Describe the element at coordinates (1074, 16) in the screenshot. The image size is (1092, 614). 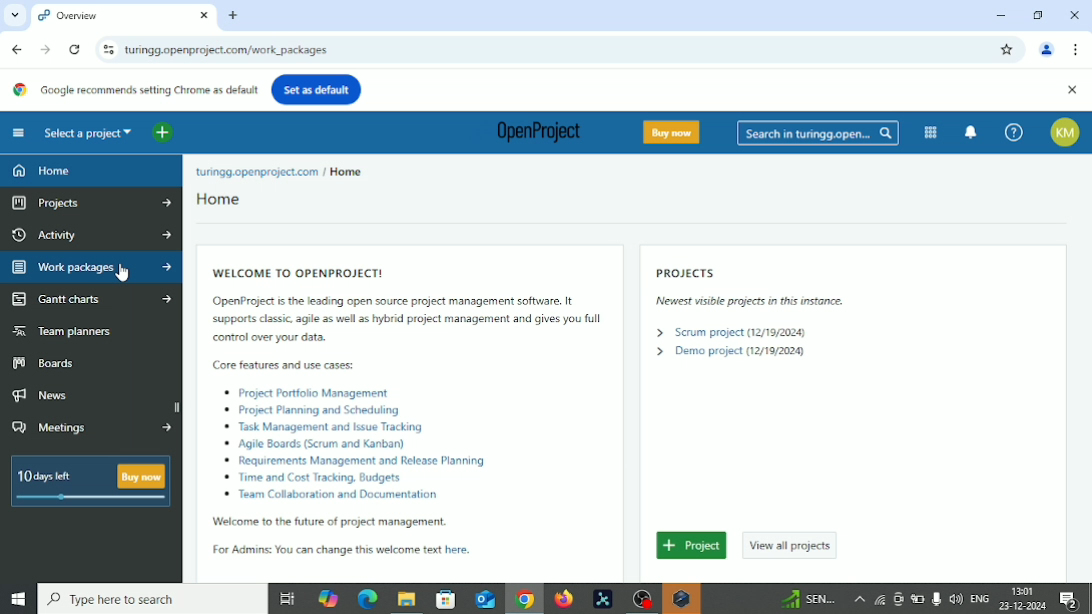
I see `Close` at that location.